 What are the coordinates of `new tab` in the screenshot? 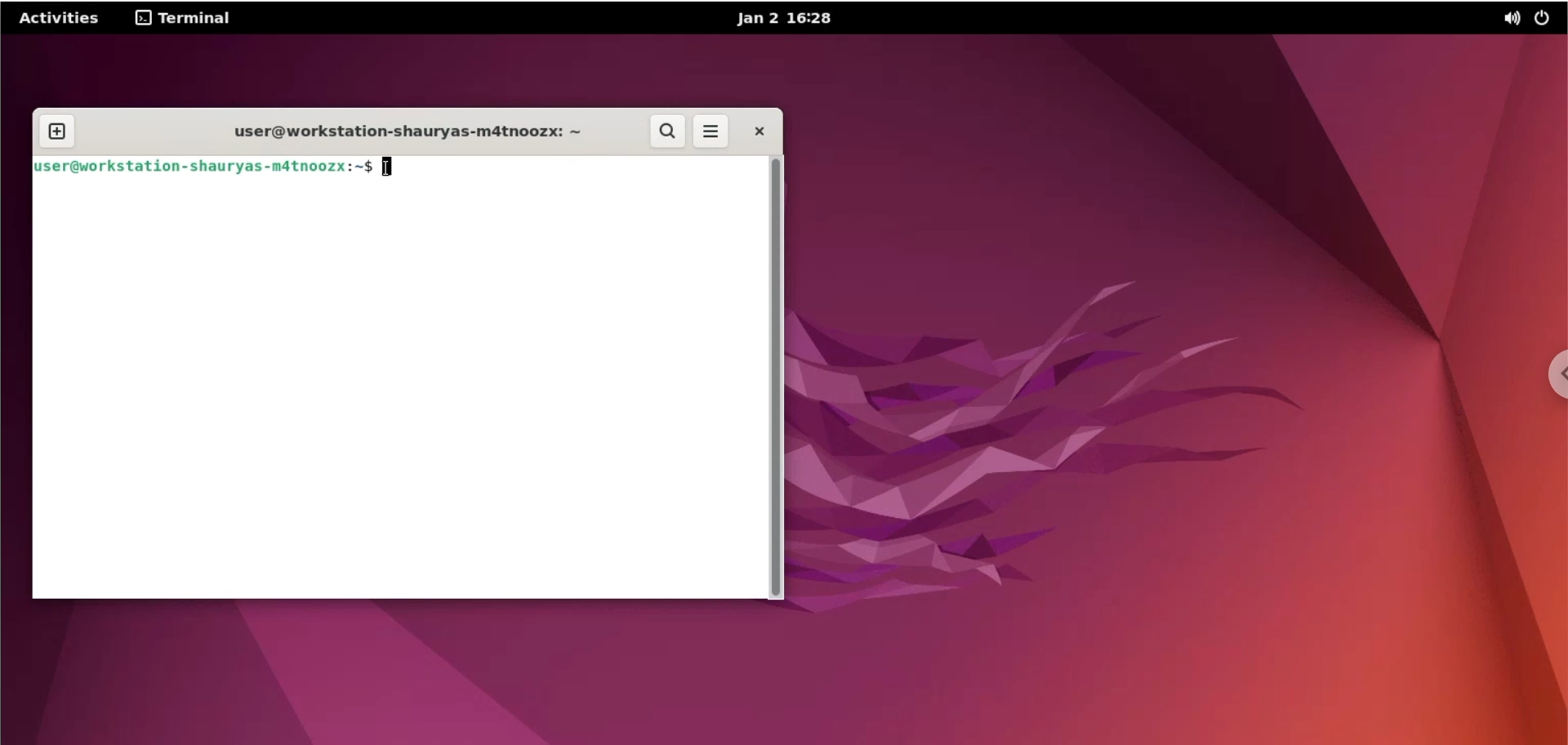 It's located at (60, 129).